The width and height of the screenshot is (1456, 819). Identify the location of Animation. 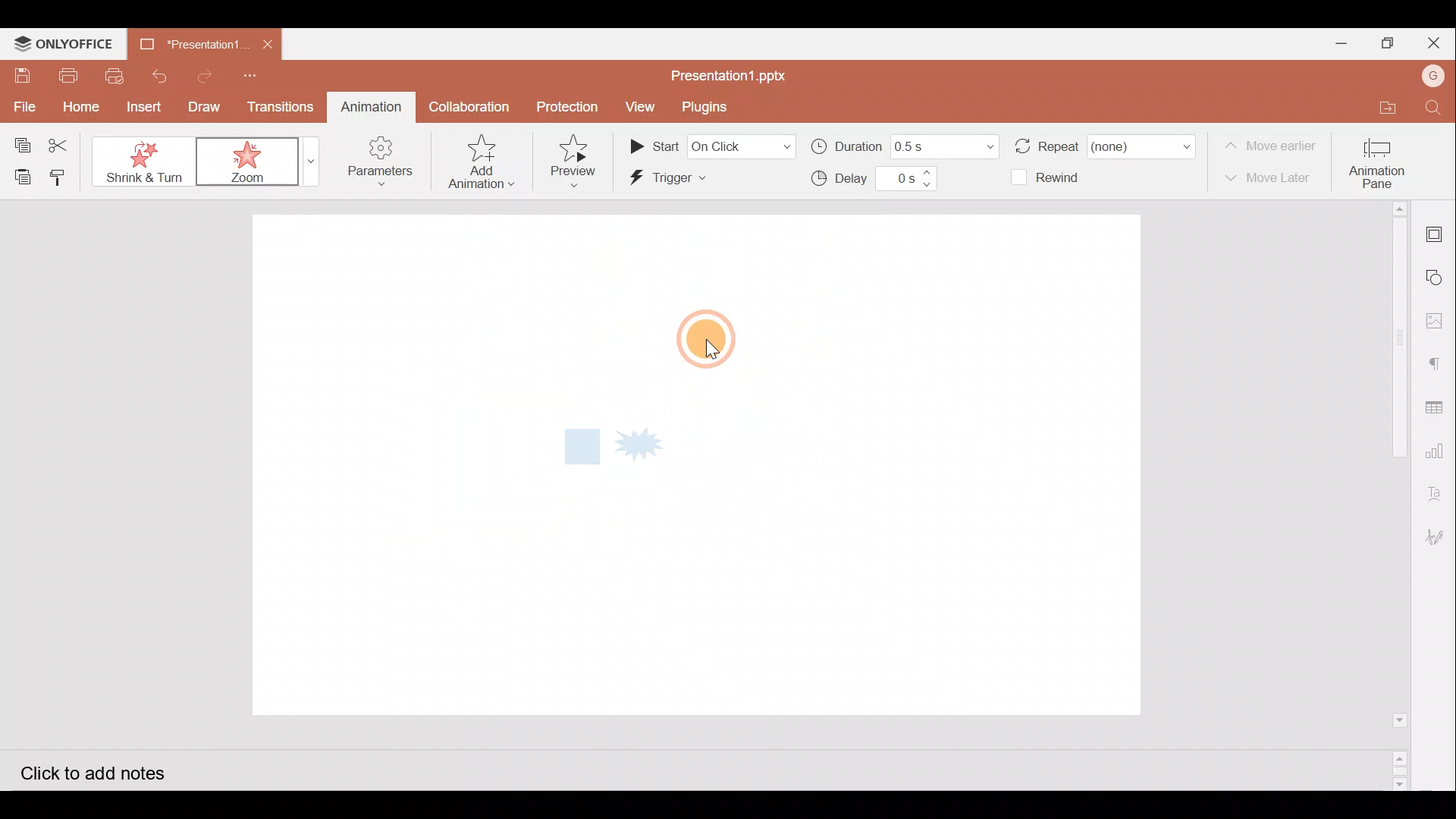
(367, 106).